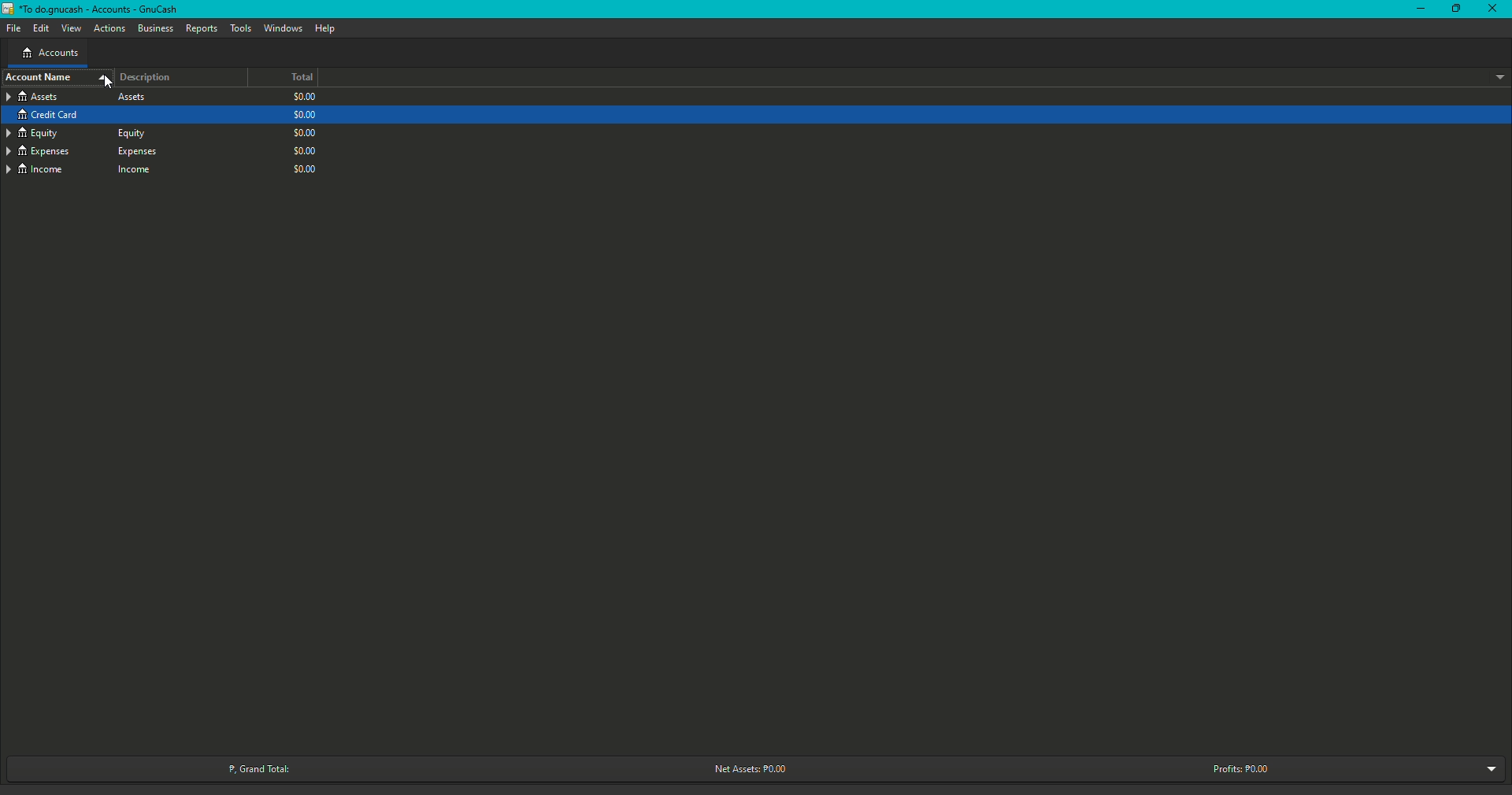 The height and width of the screenshot is (795, 1512). Describe the element at coordinates (85, 153) in the screenshot. I see `Expenses` at that location.